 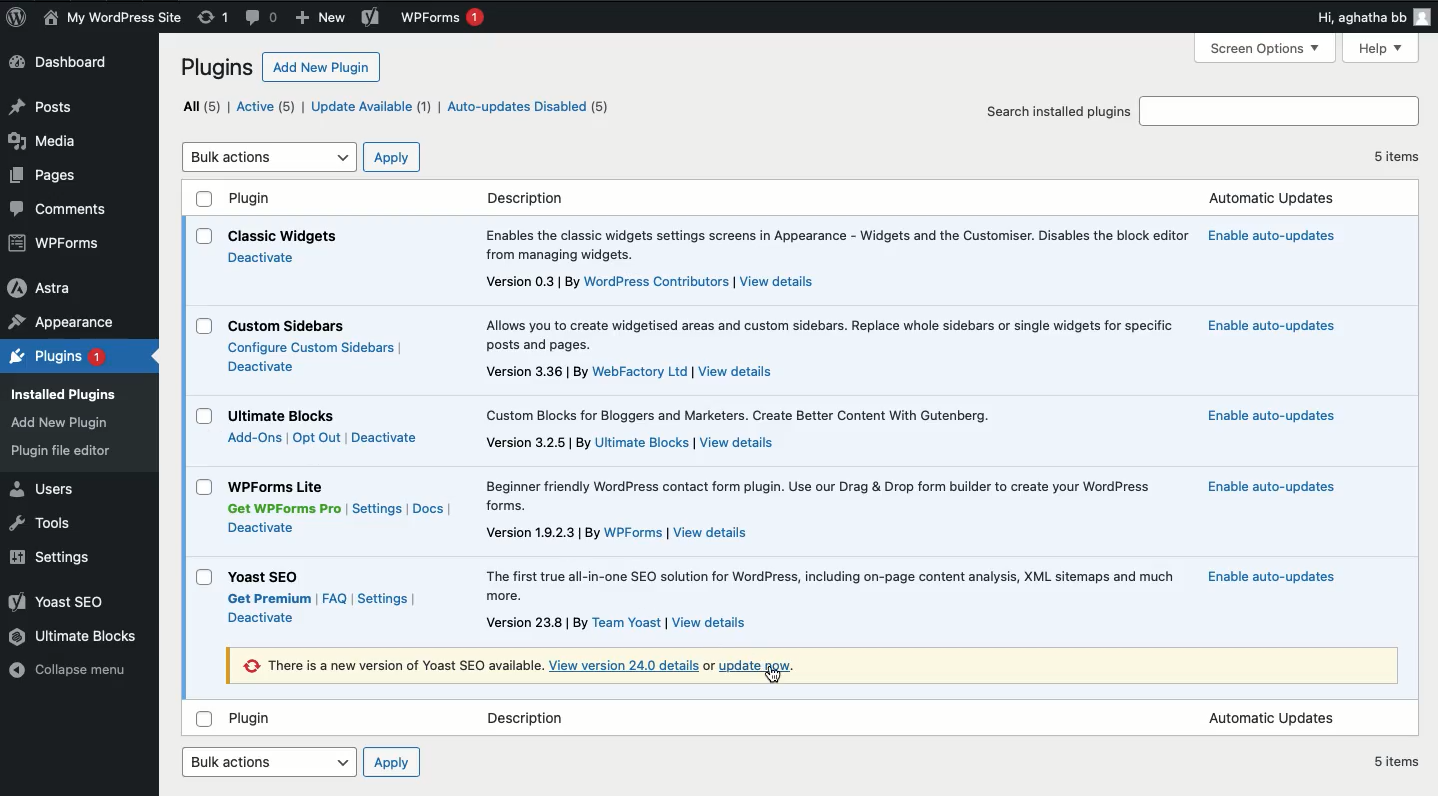 I want to click on Add ons, so click(x=254, y=439).